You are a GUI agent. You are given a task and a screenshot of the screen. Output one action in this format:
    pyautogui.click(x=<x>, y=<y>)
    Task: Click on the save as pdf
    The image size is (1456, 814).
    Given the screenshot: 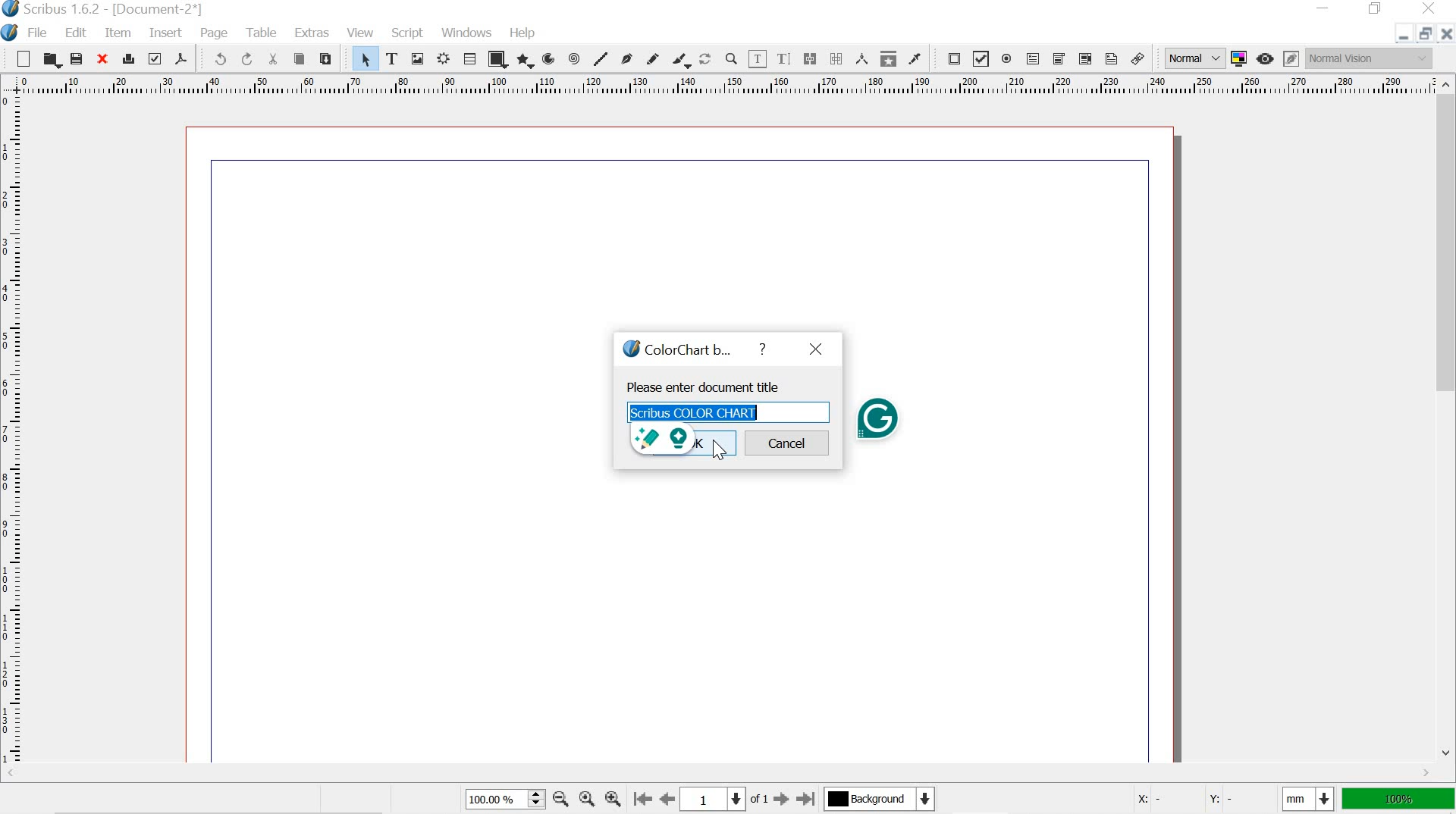 What is the action you would take?
    pyautogui.click(x=183, y=59)
    